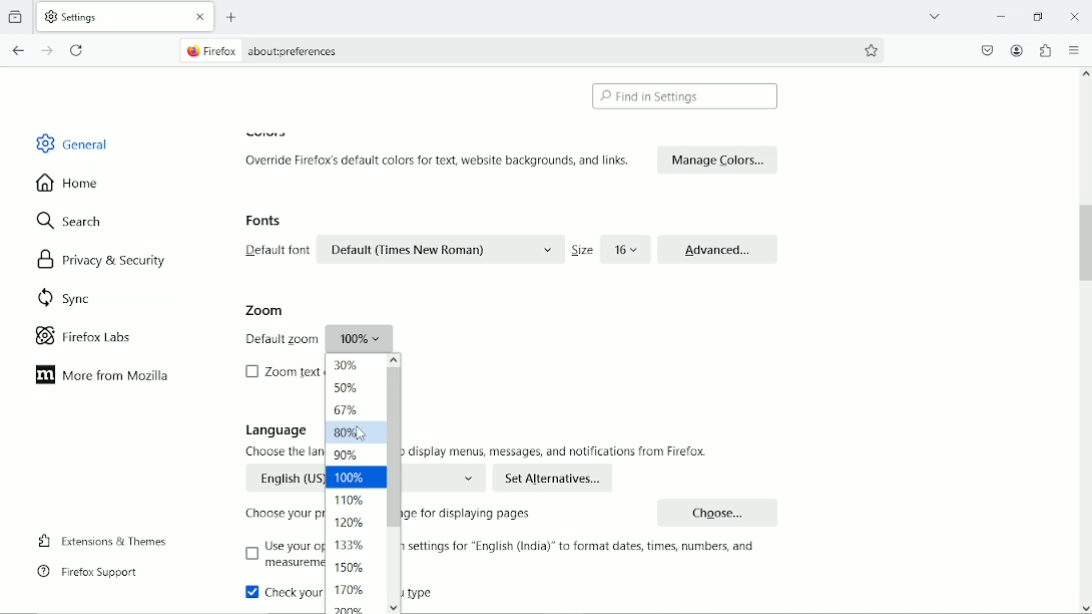 Image resolution: width=1092 pixels, height=614 pixels. What do you see at coordinates (17, 15) in the screenshot?
I see `View recent browsing` at bounding box center [17, 15].